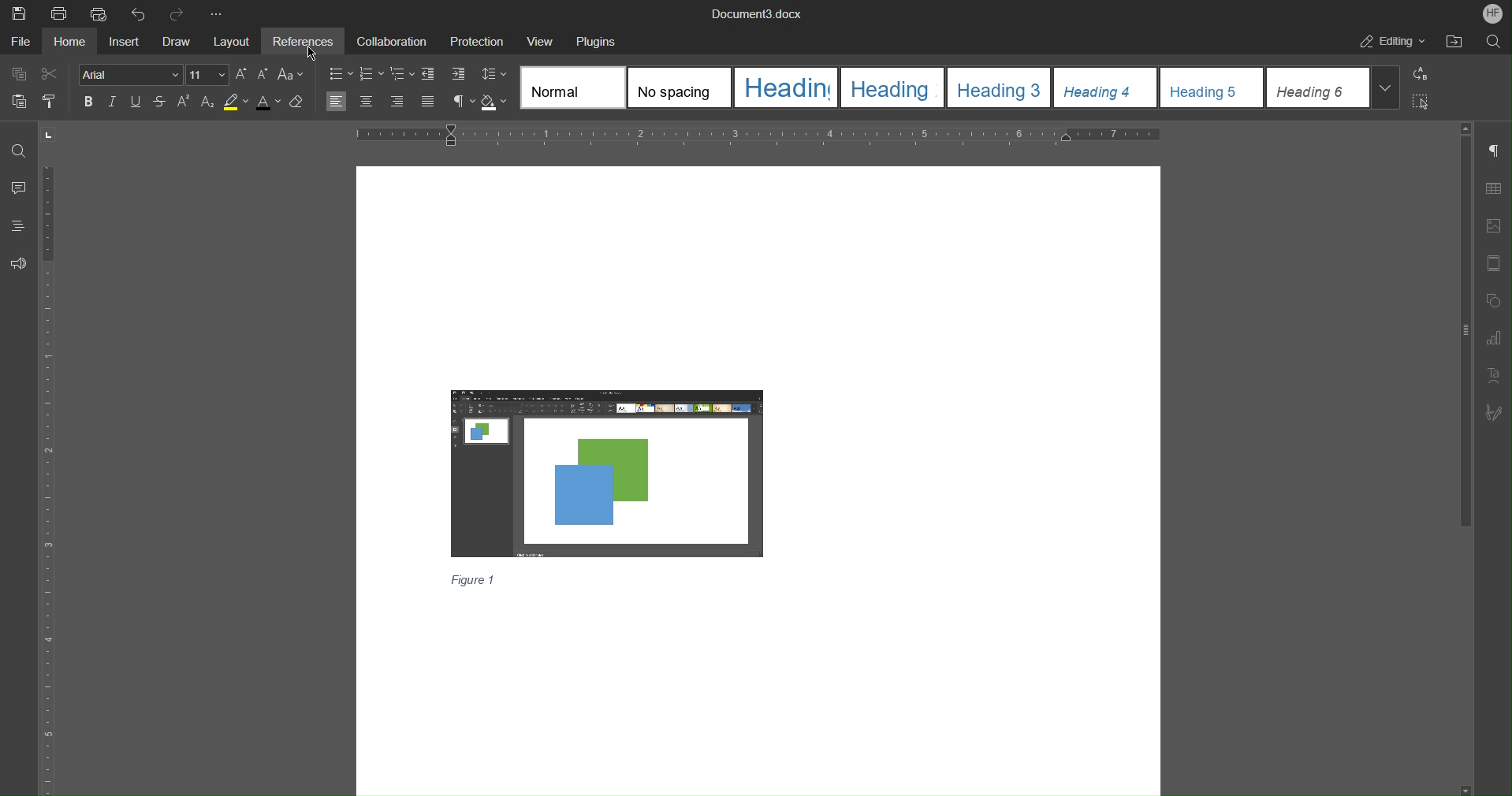  What do you see at coordinates (264, 79) in the screenshot?
I see `Decrease Font Size` at bounding box center [264, 79].